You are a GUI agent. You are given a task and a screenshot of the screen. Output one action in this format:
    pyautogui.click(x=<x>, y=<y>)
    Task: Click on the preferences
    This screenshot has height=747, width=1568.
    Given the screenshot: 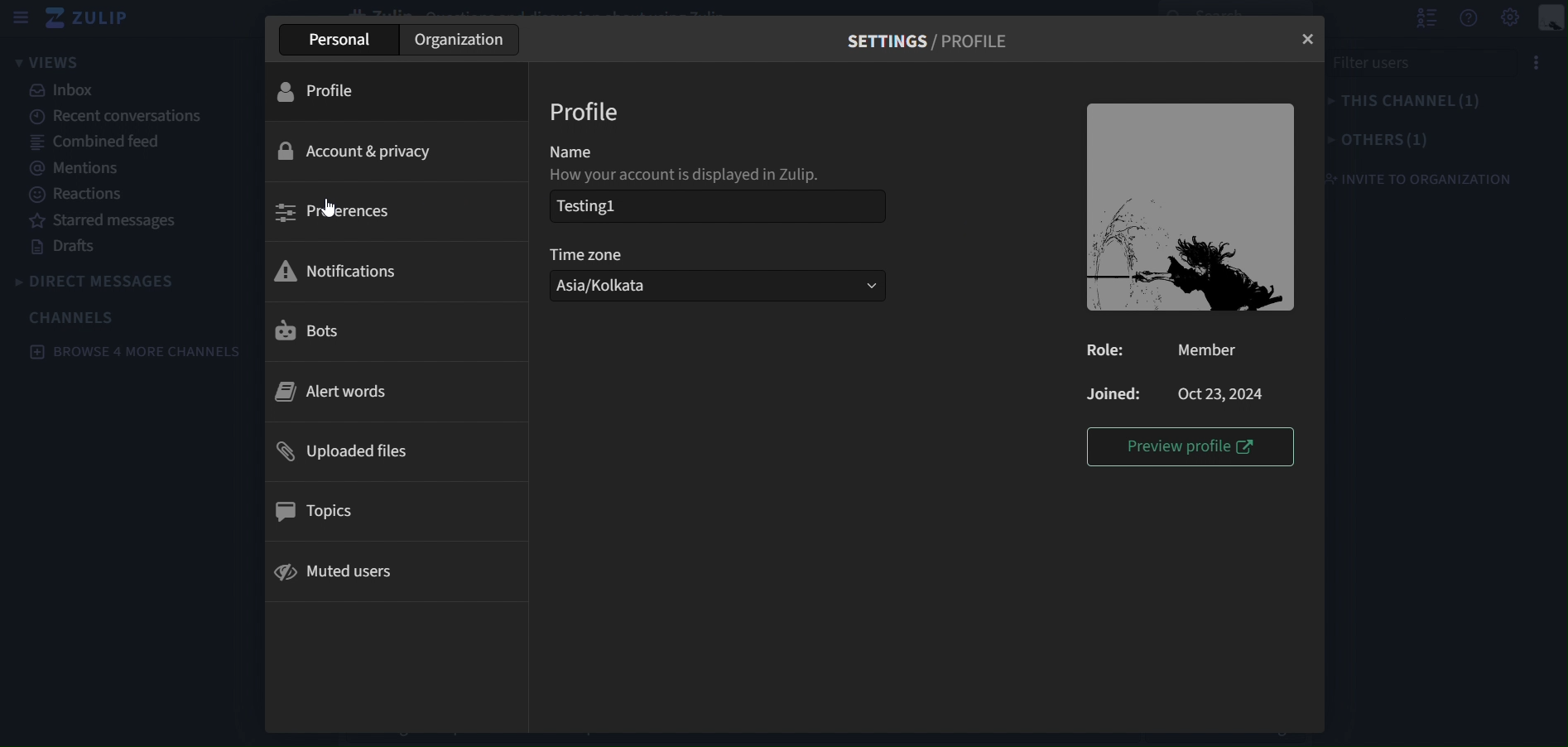 What is the action you would take?
    pyautogui.click(x=393, y=211)
    